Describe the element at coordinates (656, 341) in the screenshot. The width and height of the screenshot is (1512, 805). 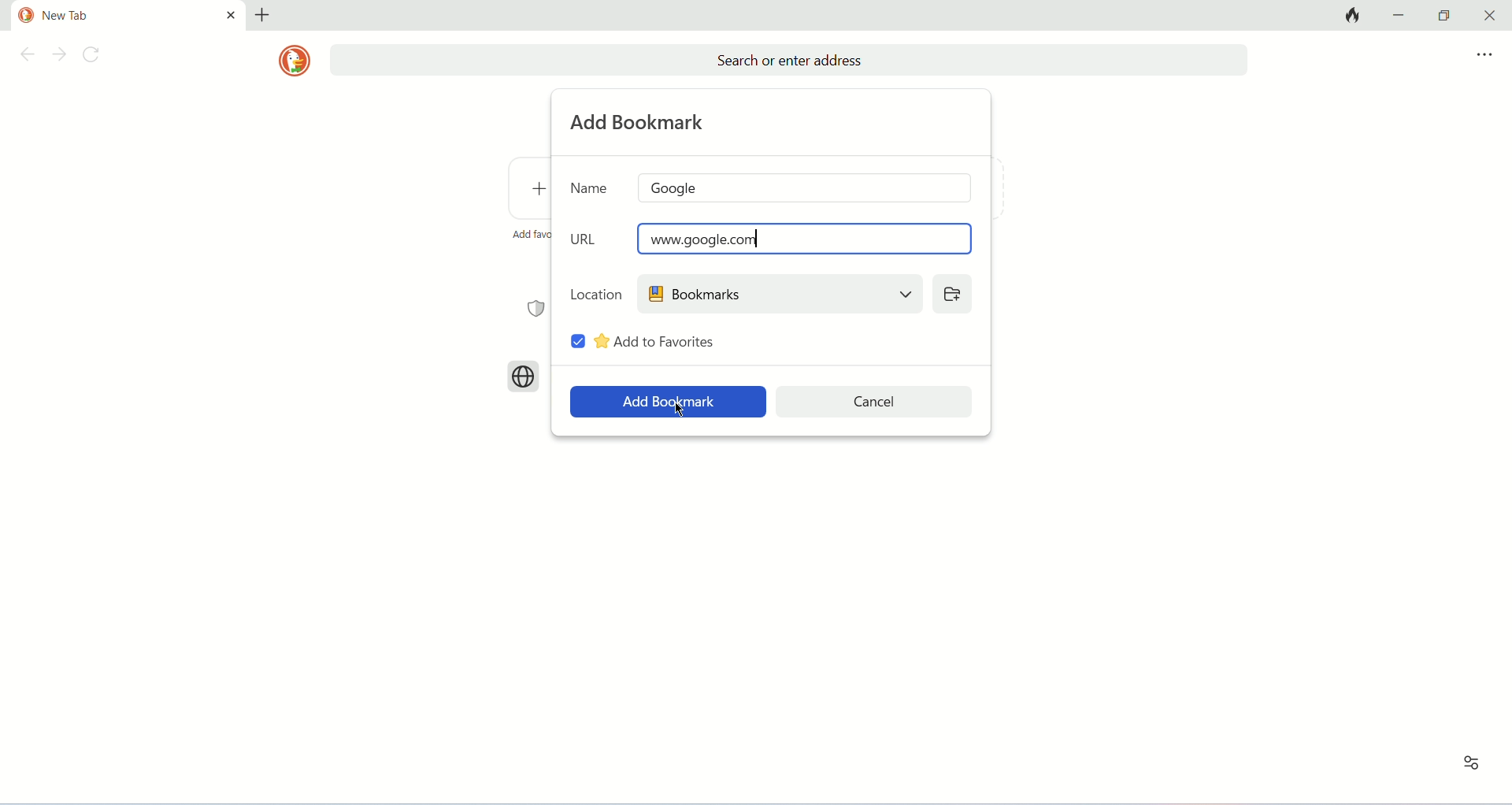
I see `add to favorites` at that location.